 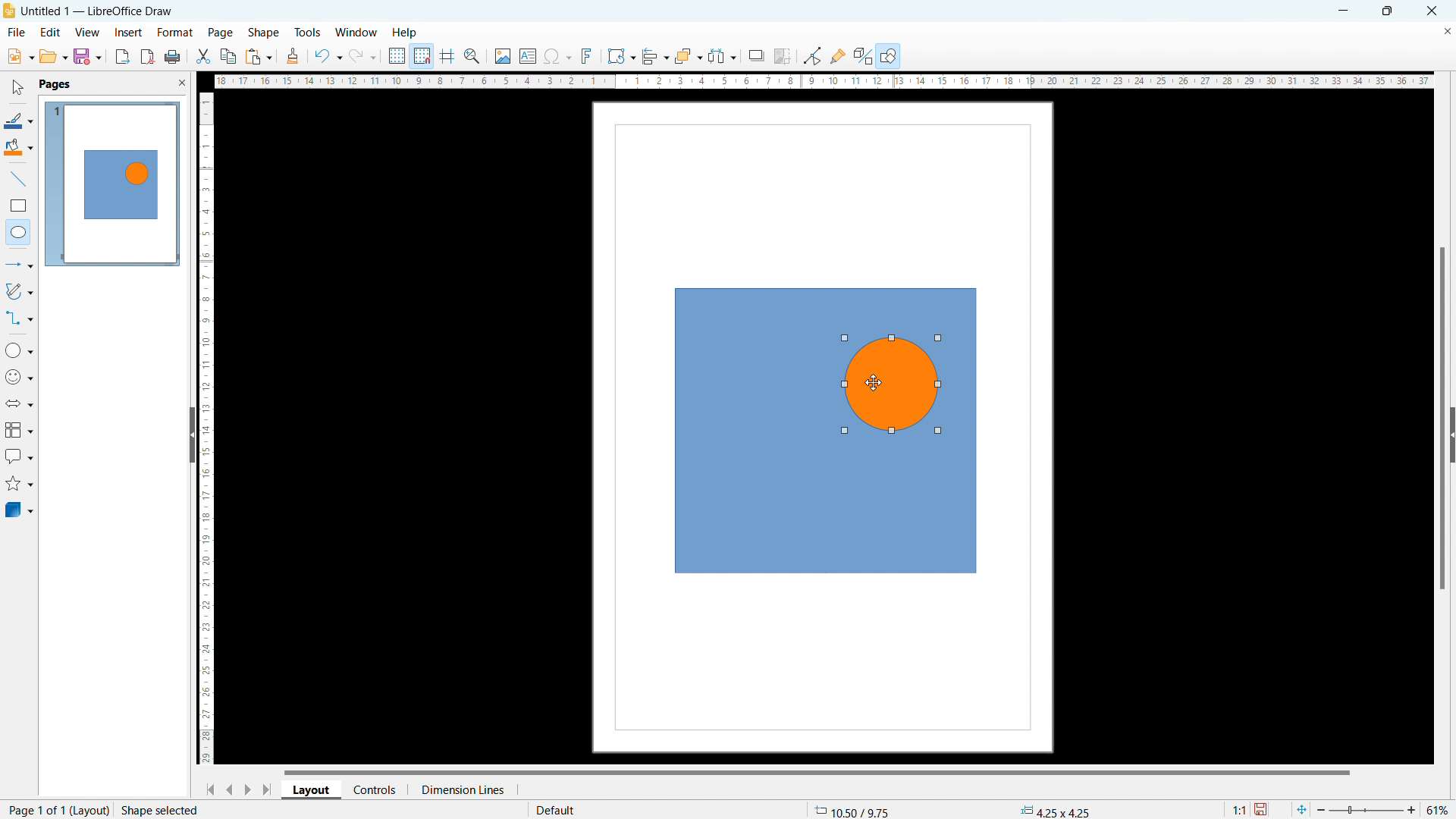 What do you see at coordinates (91, 810) in the screenshot?
I see `layout` at bounding box center [91, 810].